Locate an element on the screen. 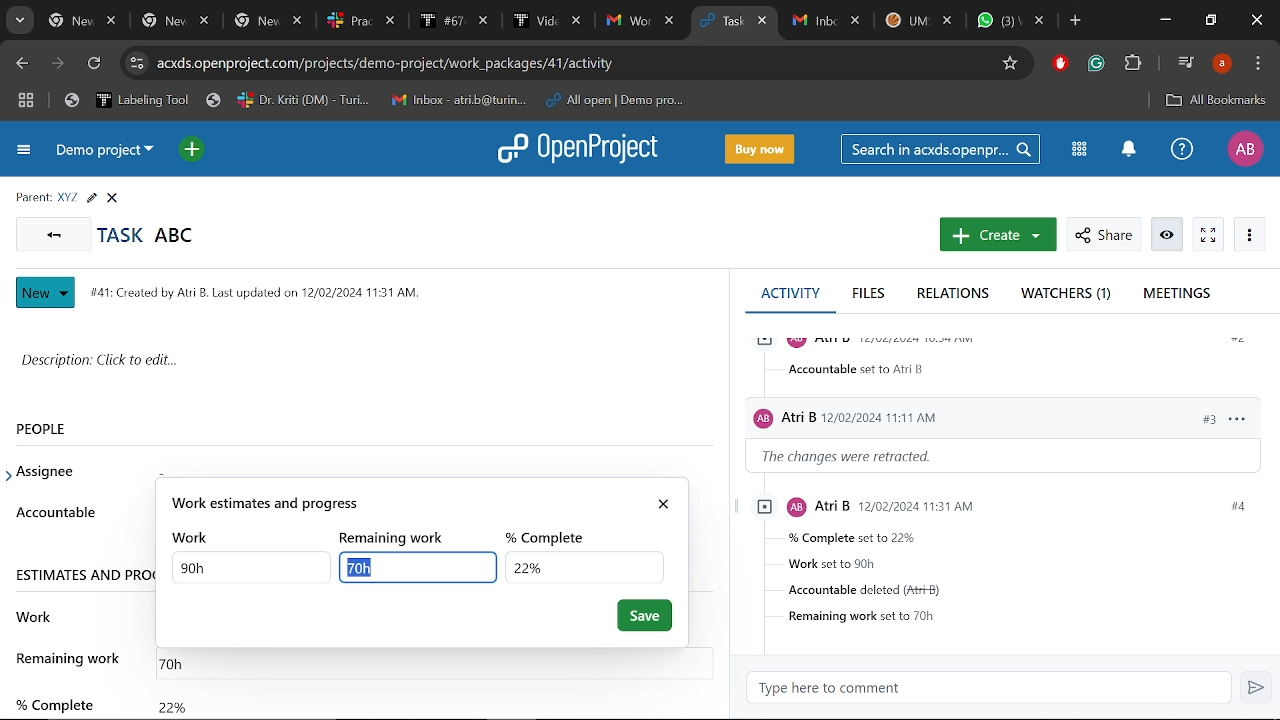 This screenshot has width=1280, height=720. Watchers  is located at coordinates (1069, 295).